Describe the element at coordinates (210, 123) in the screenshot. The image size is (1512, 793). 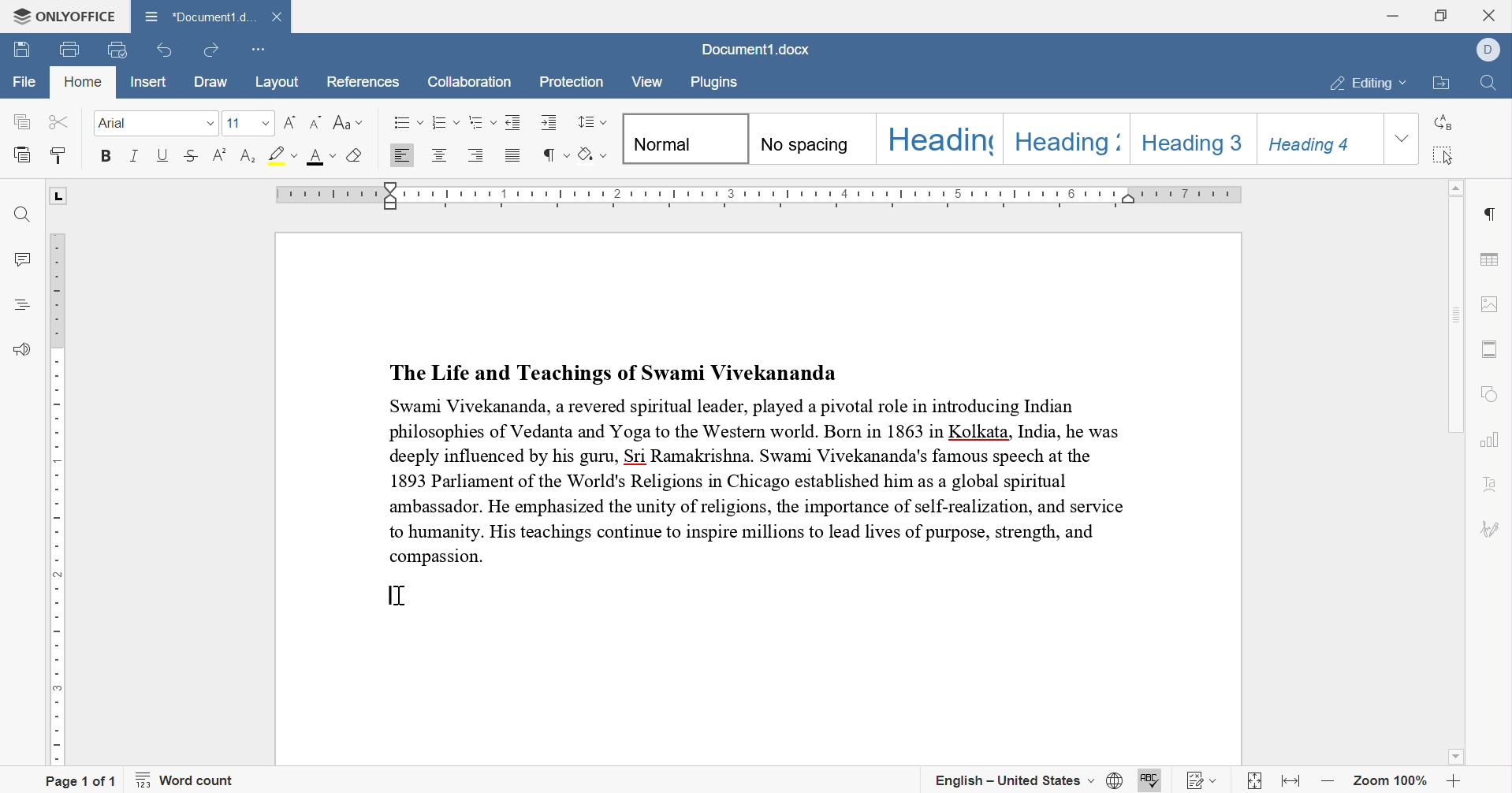
I see `drop down` at that location.